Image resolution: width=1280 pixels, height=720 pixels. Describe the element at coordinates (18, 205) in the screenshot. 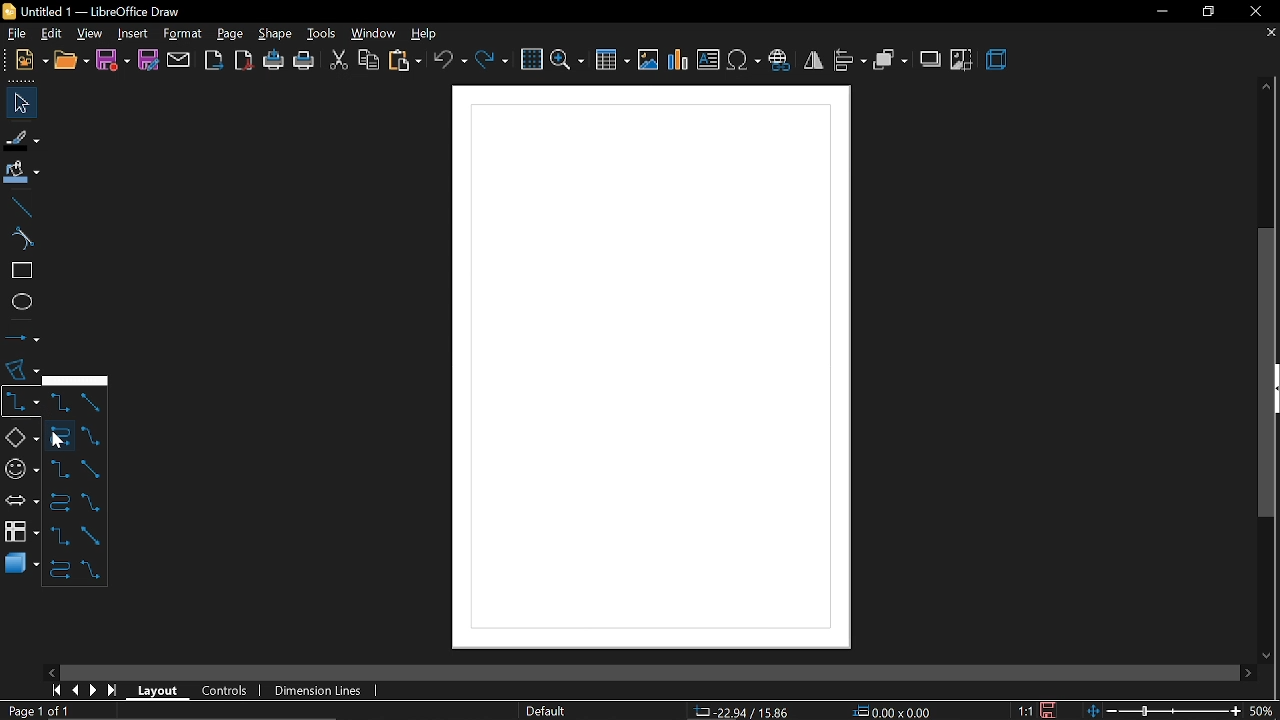

I see `line` at that location.